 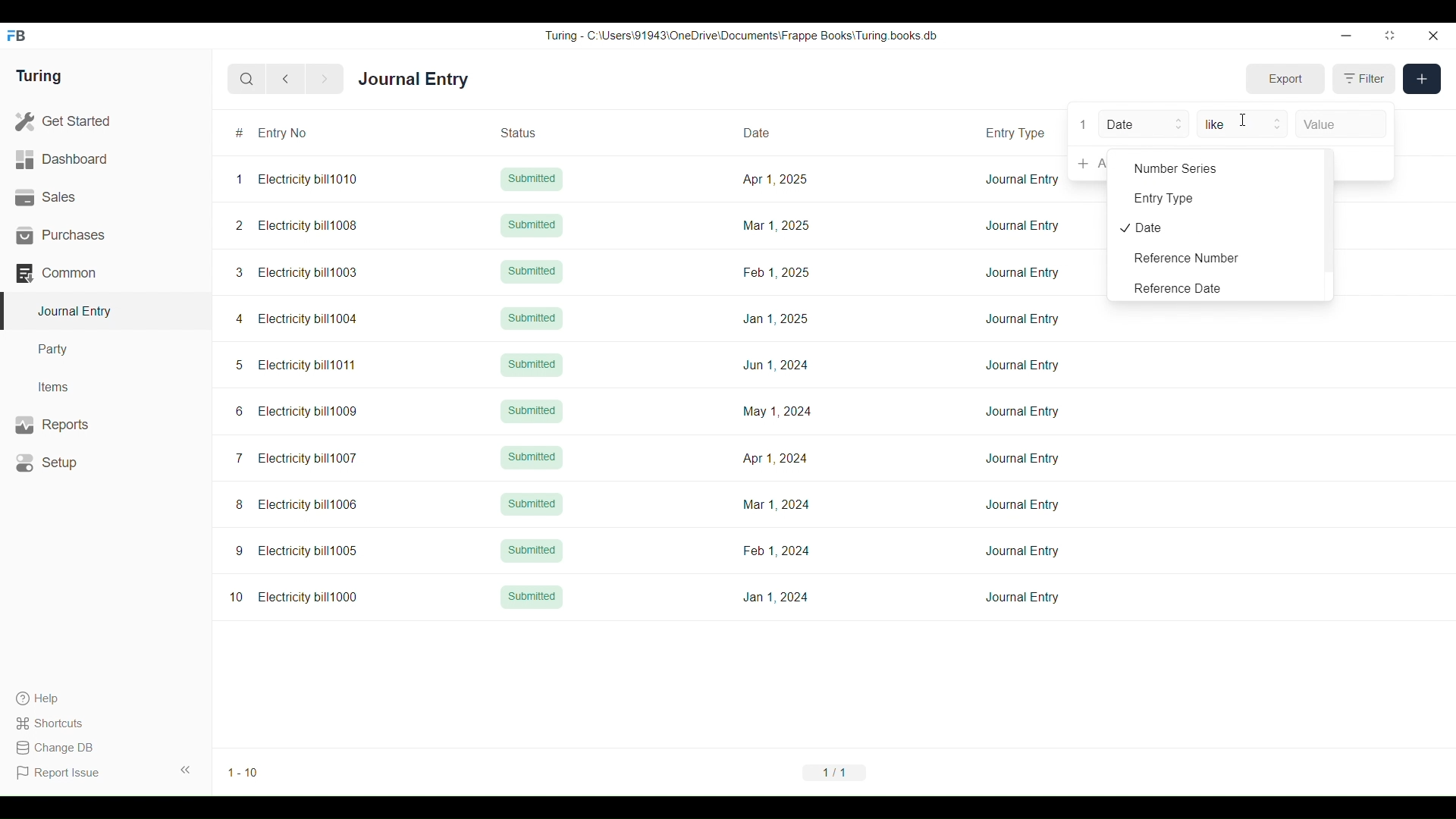 What do you see at coordinates (1024, 272) in the screenshot?
I see `Journal Entry` at bounding box center [1024, 272].